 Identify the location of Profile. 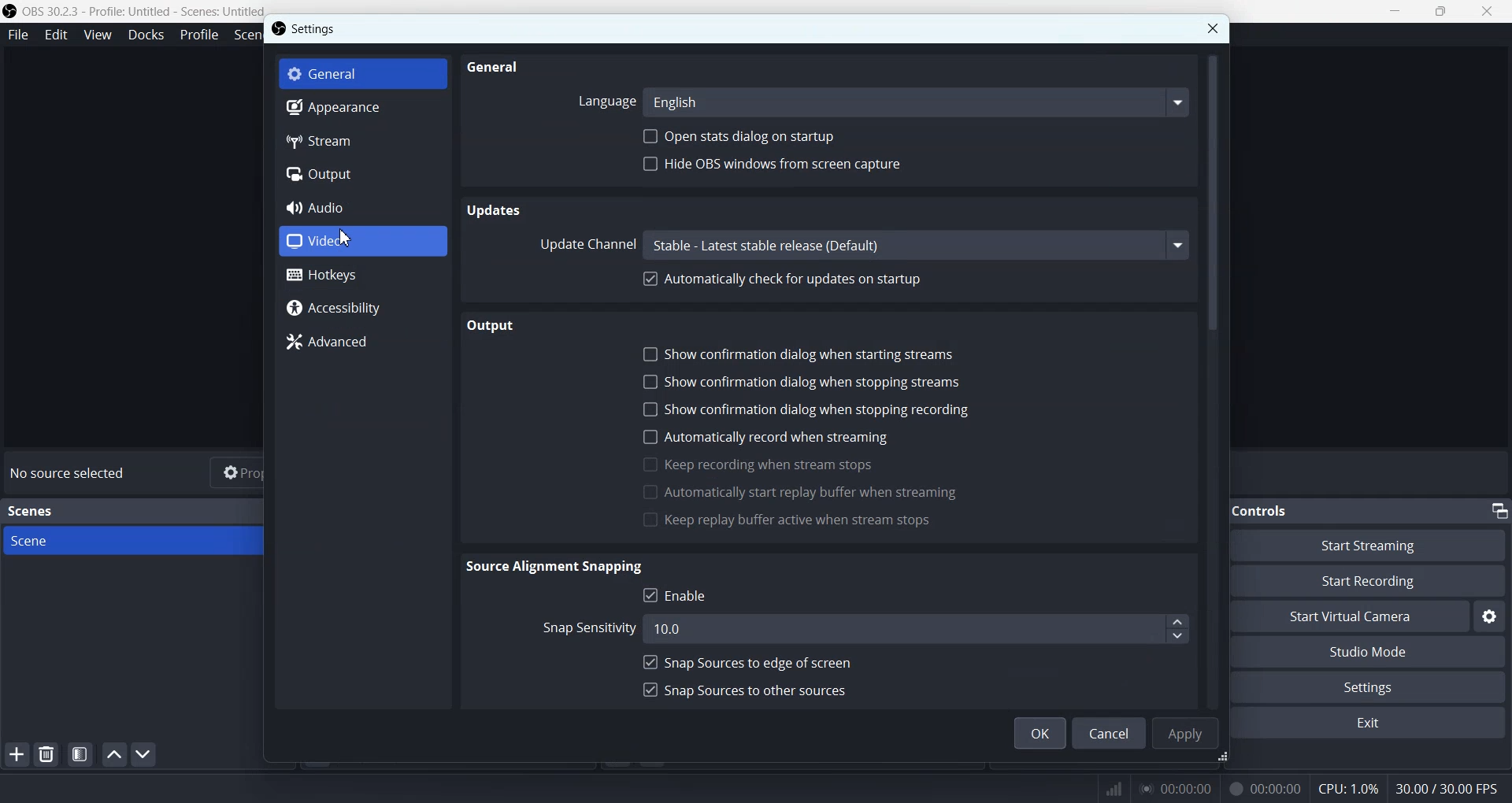
(199, 35).